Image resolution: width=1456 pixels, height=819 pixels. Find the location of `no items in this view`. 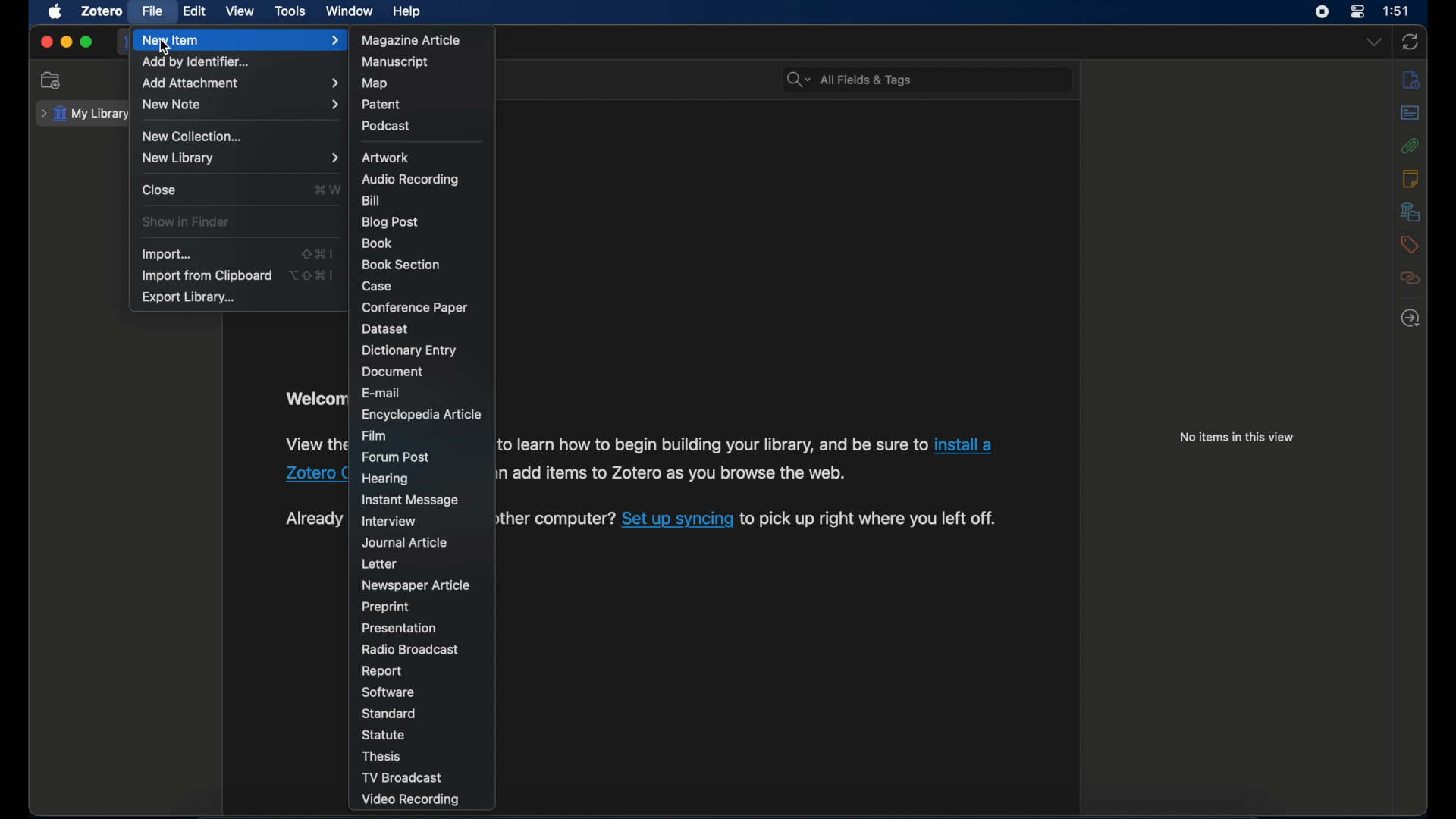

no items in this view is located at coordinates (1238, 437).